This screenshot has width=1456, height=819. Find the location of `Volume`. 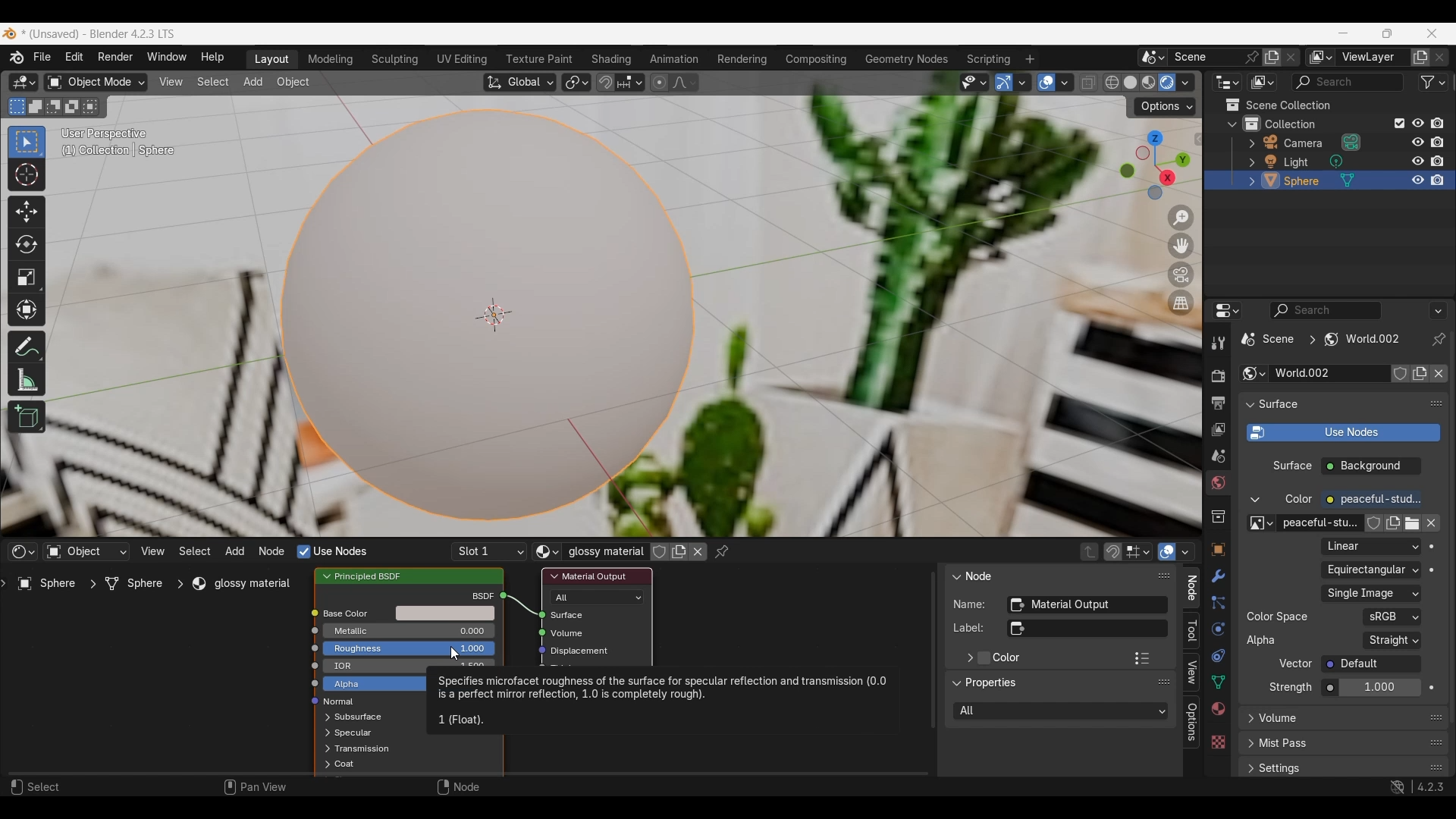

Volume is located at coordinates (570, 633).